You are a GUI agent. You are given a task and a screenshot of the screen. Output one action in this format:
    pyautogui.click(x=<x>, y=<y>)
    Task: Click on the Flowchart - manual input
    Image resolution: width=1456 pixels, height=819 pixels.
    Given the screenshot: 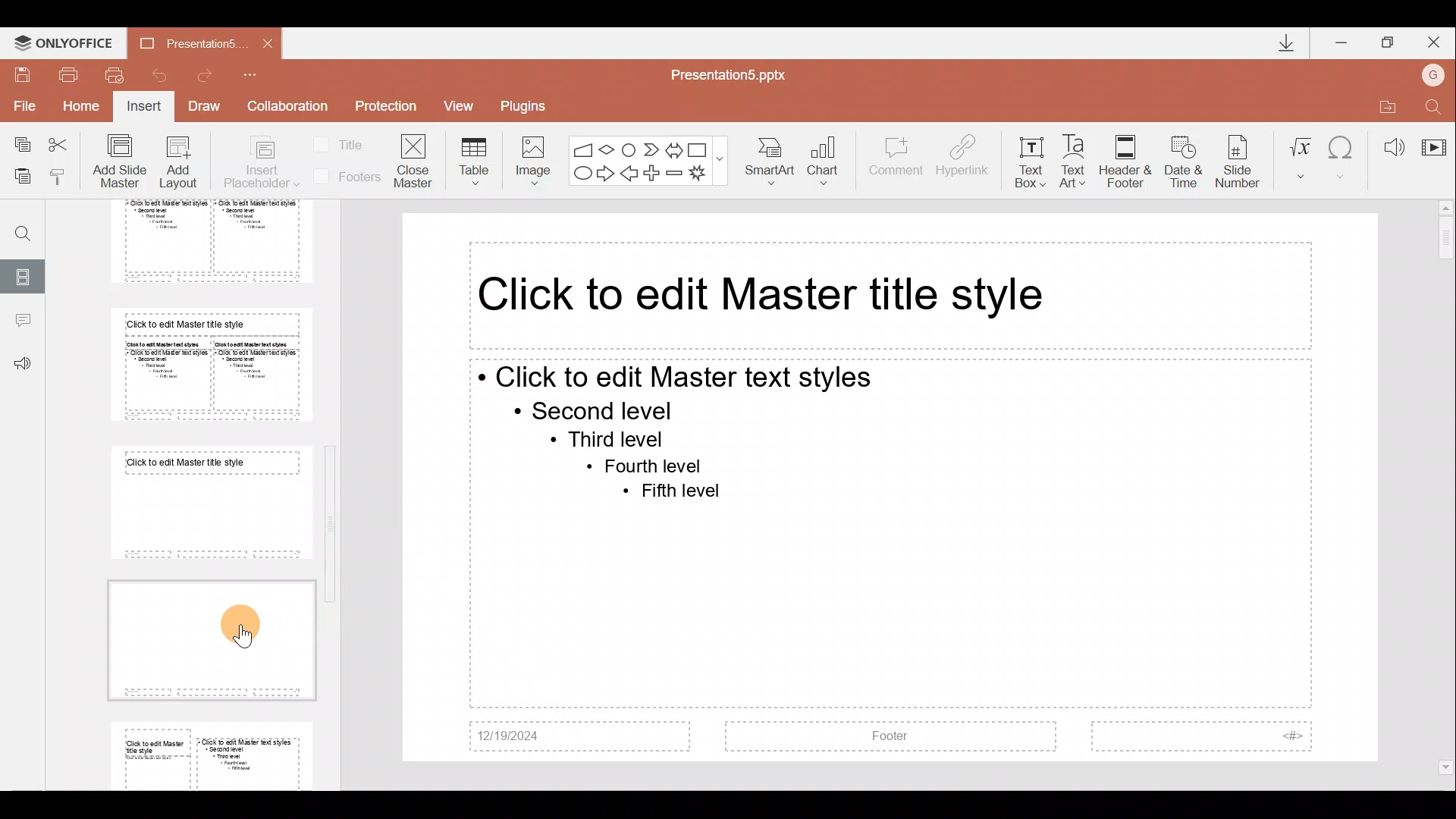 What is the action you would take?
    pyautogui.click(x=582, y=147)
    